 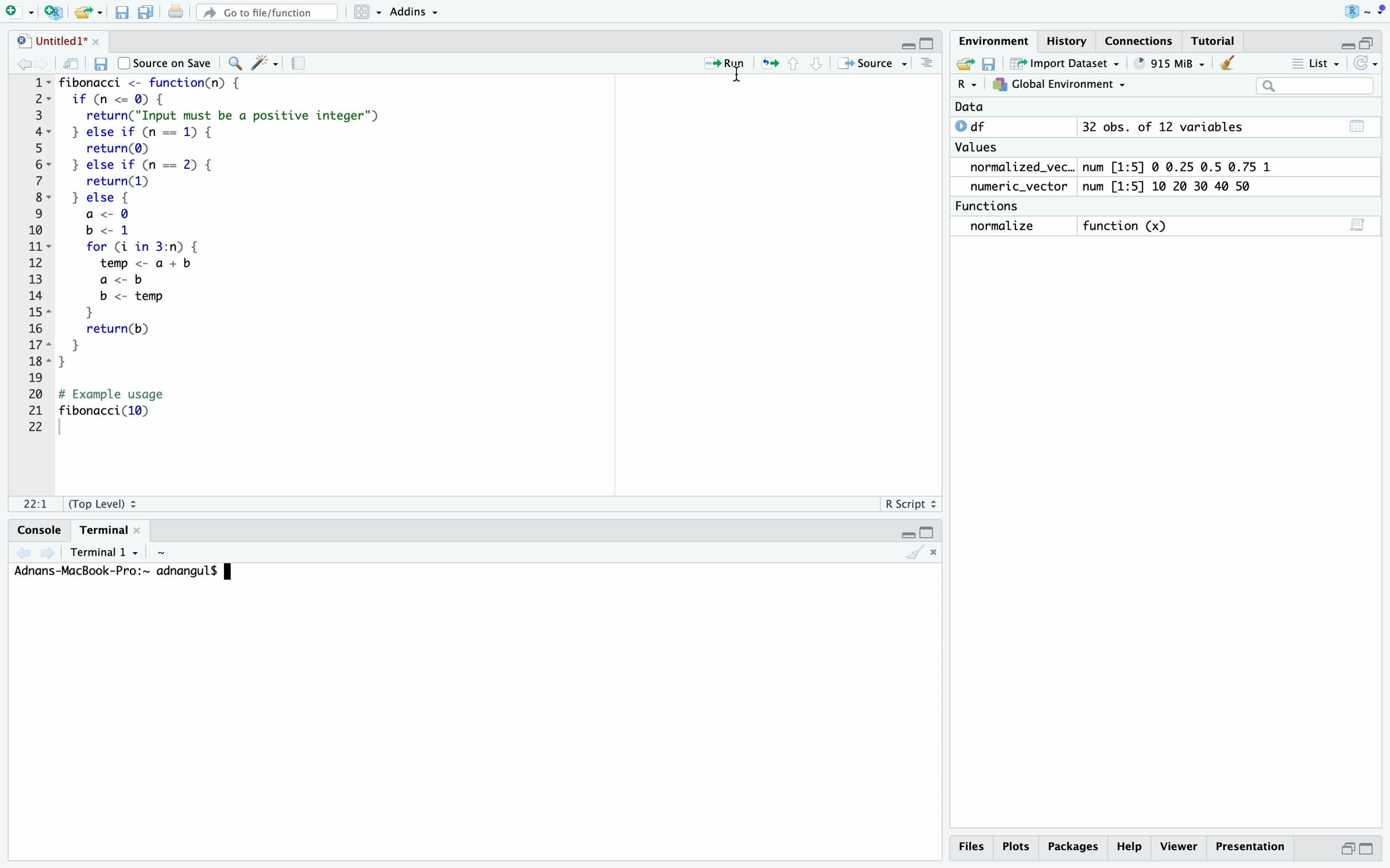 What do you see at coordinates (19, 13) in the screenshot?
I see `new file` at bounding box center [19, 13].